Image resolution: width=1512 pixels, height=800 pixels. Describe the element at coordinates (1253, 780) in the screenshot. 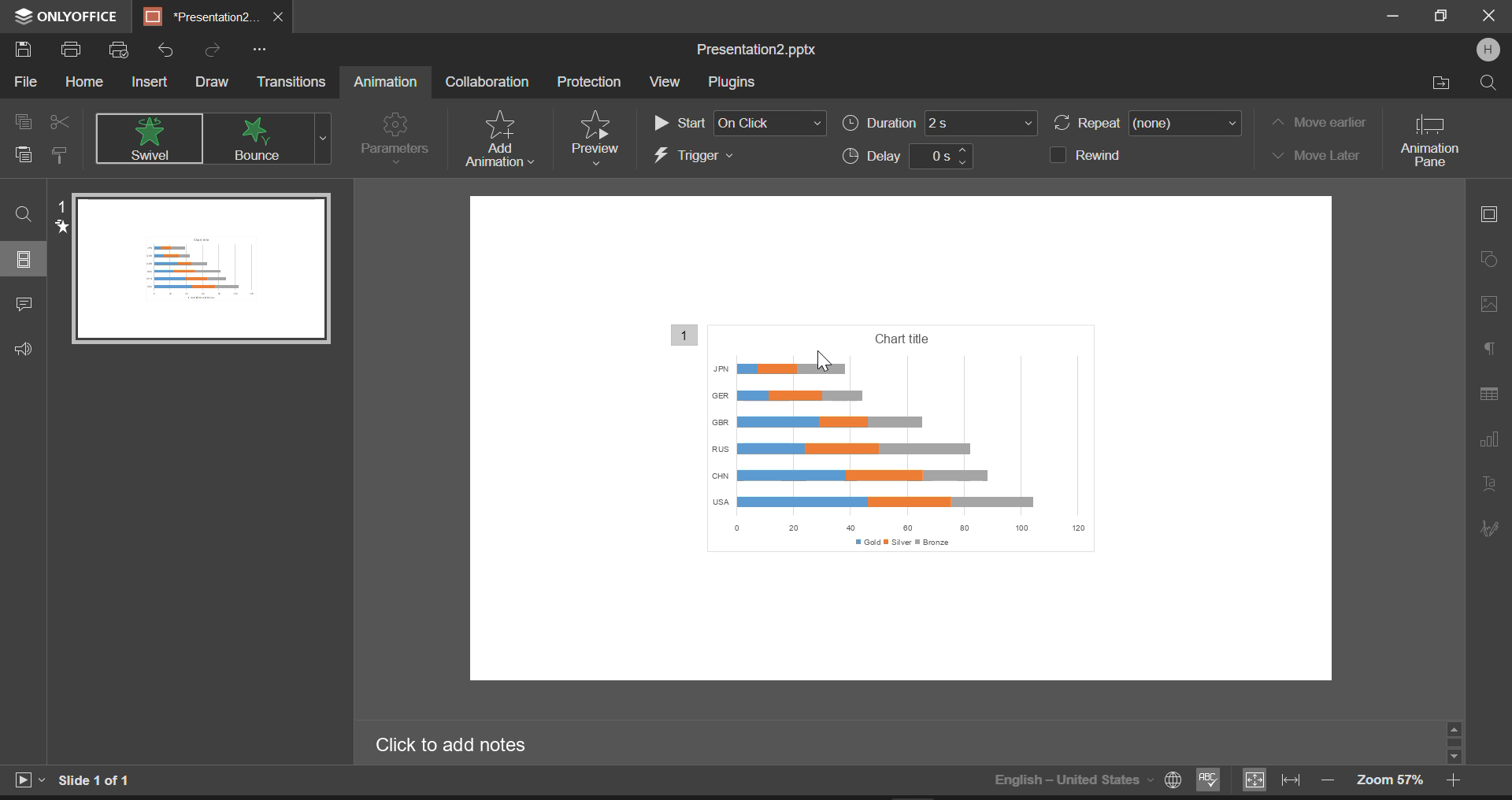

I see `Fit to slide` at that location.